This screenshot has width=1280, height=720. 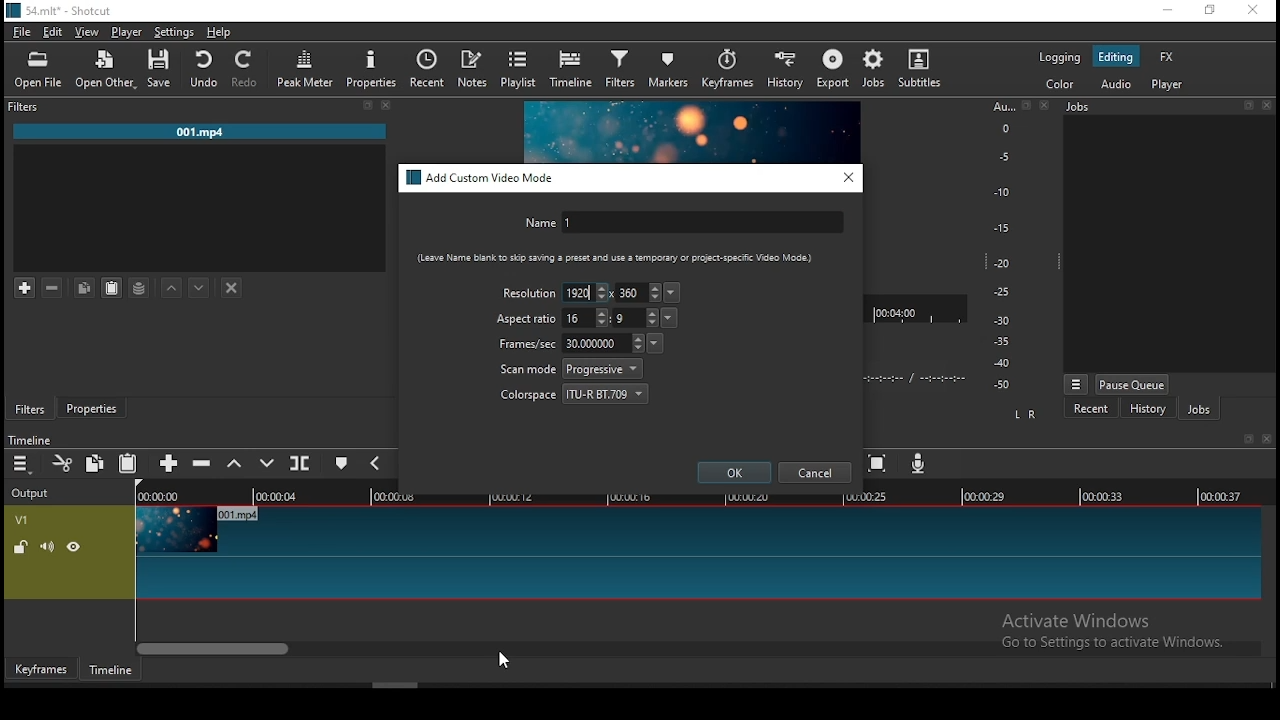 I want to click on overwrite, so click(x=269, y=463).